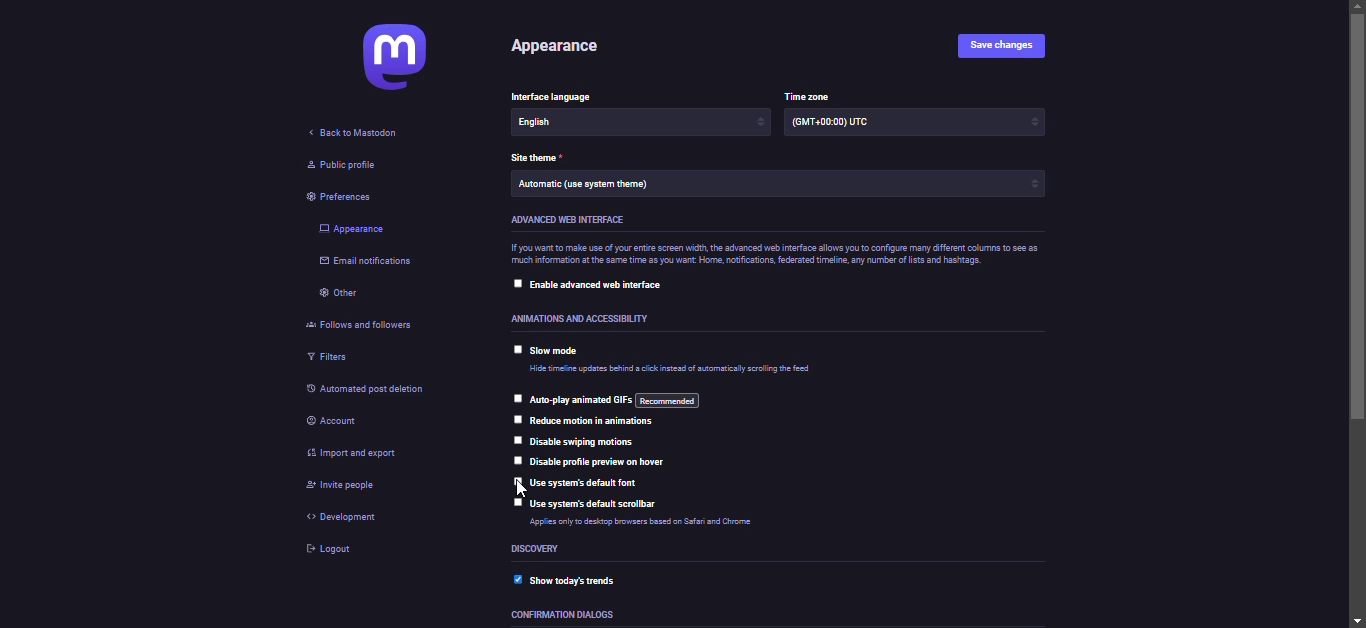 The width and height of the screenshot is (1366, 628). What do you see at coordinates (335, 554) in the screenshot?
I see `logout` at bounding box center [335, 554].